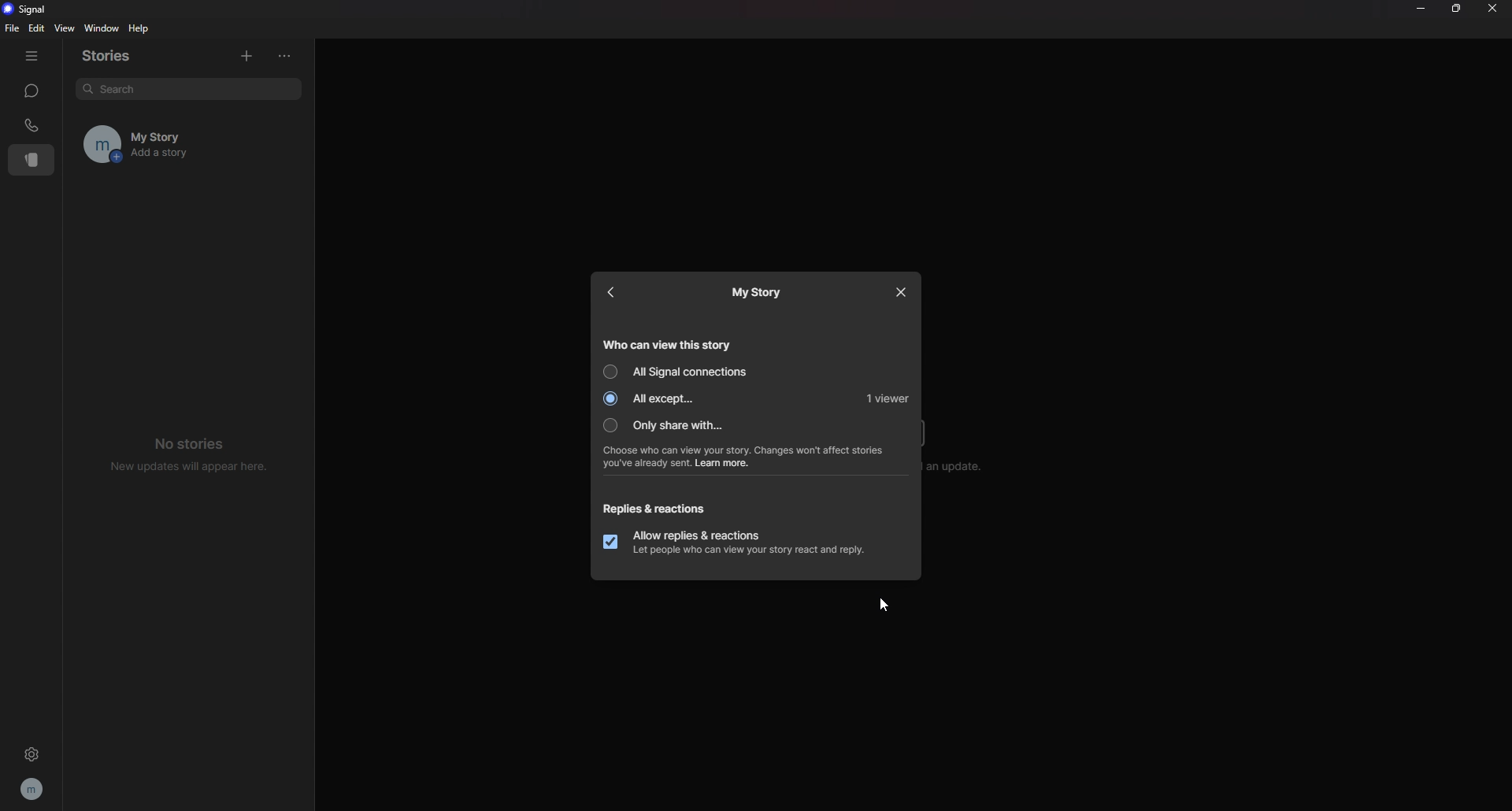 This screenshot has width=1512, height=811. I want to click on calls, so click(32, 125).